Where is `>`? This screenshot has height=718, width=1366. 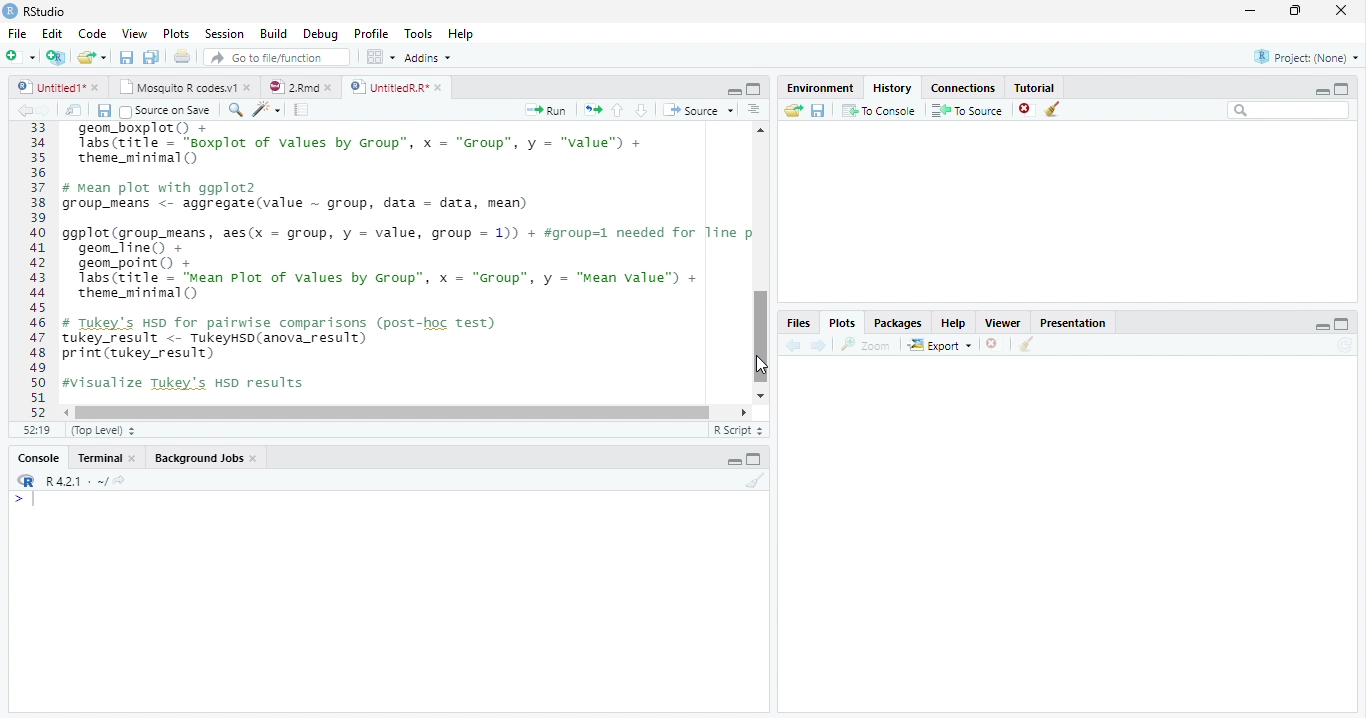
> is located at coordinates (14, 500).